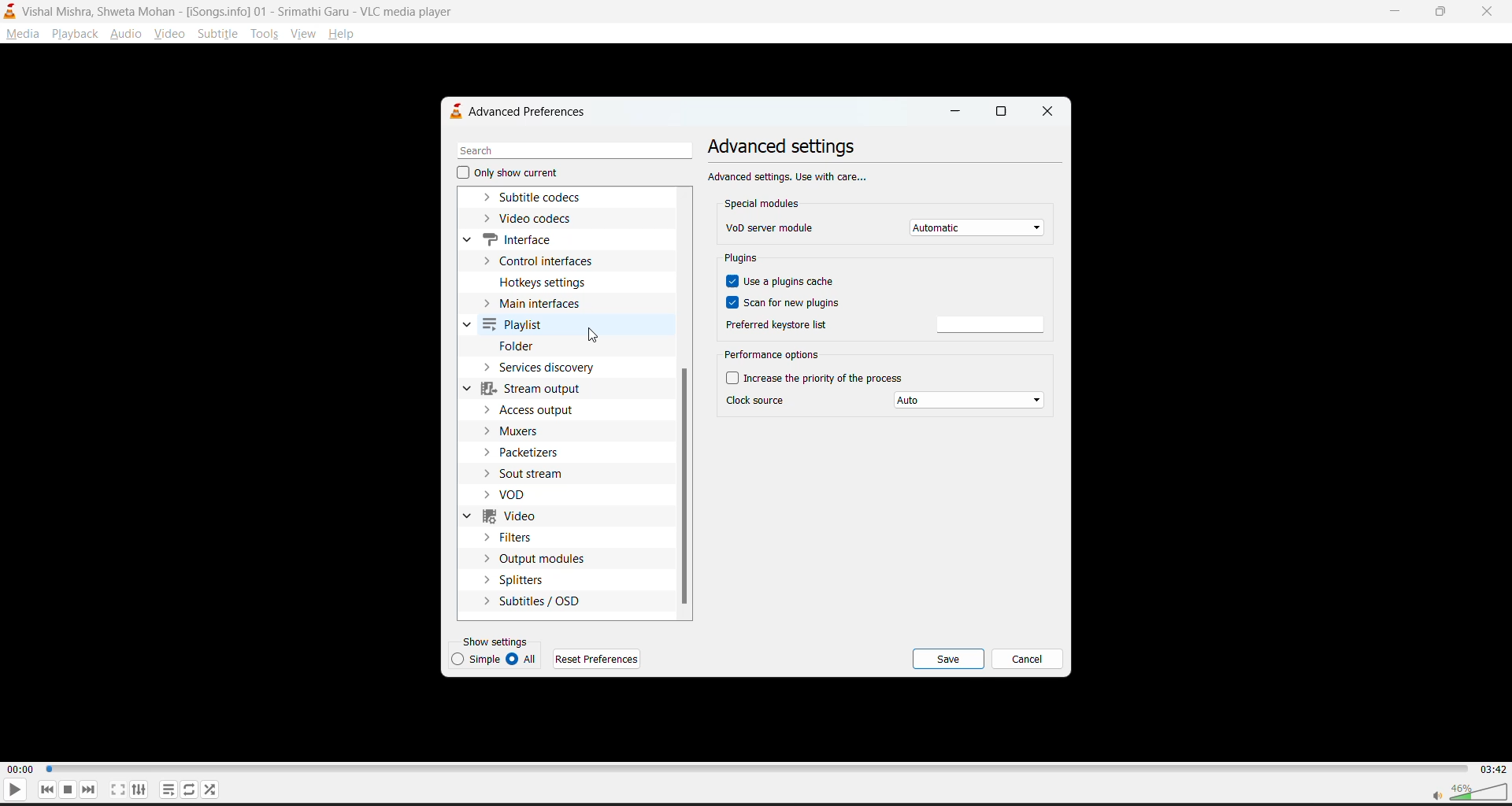 The height and width of the screenshot is (806, 1512). Describe the element at coordinates (787, 146) in the screenshot. I see `advanced settings` at that location.